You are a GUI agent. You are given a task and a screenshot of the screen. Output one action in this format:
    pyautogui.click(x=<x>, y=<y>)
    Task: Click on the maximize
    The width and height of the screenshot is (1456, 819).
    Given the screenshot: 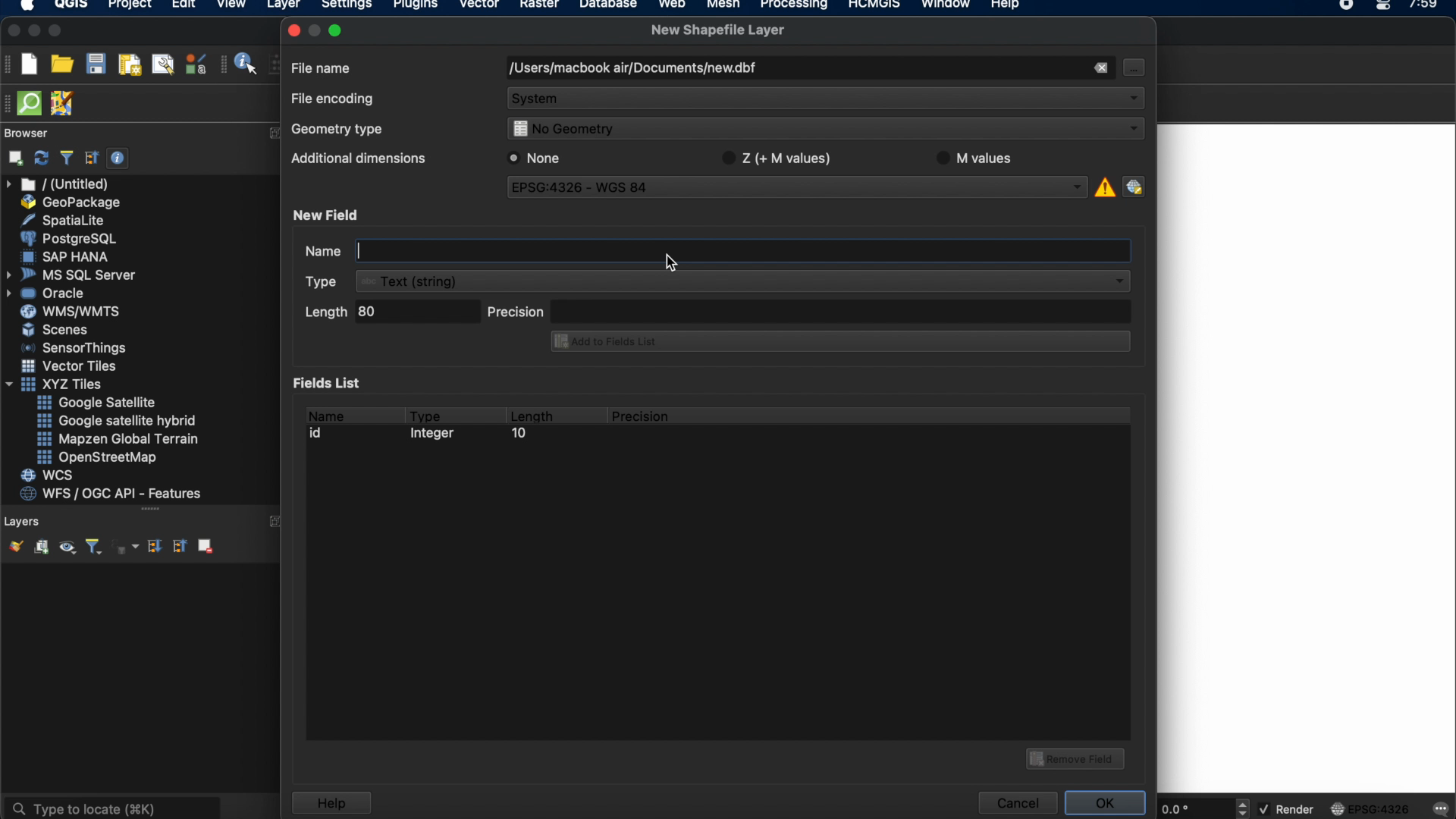 What is the action you would take?
    pyautogui.click(x=338, y=30)
    